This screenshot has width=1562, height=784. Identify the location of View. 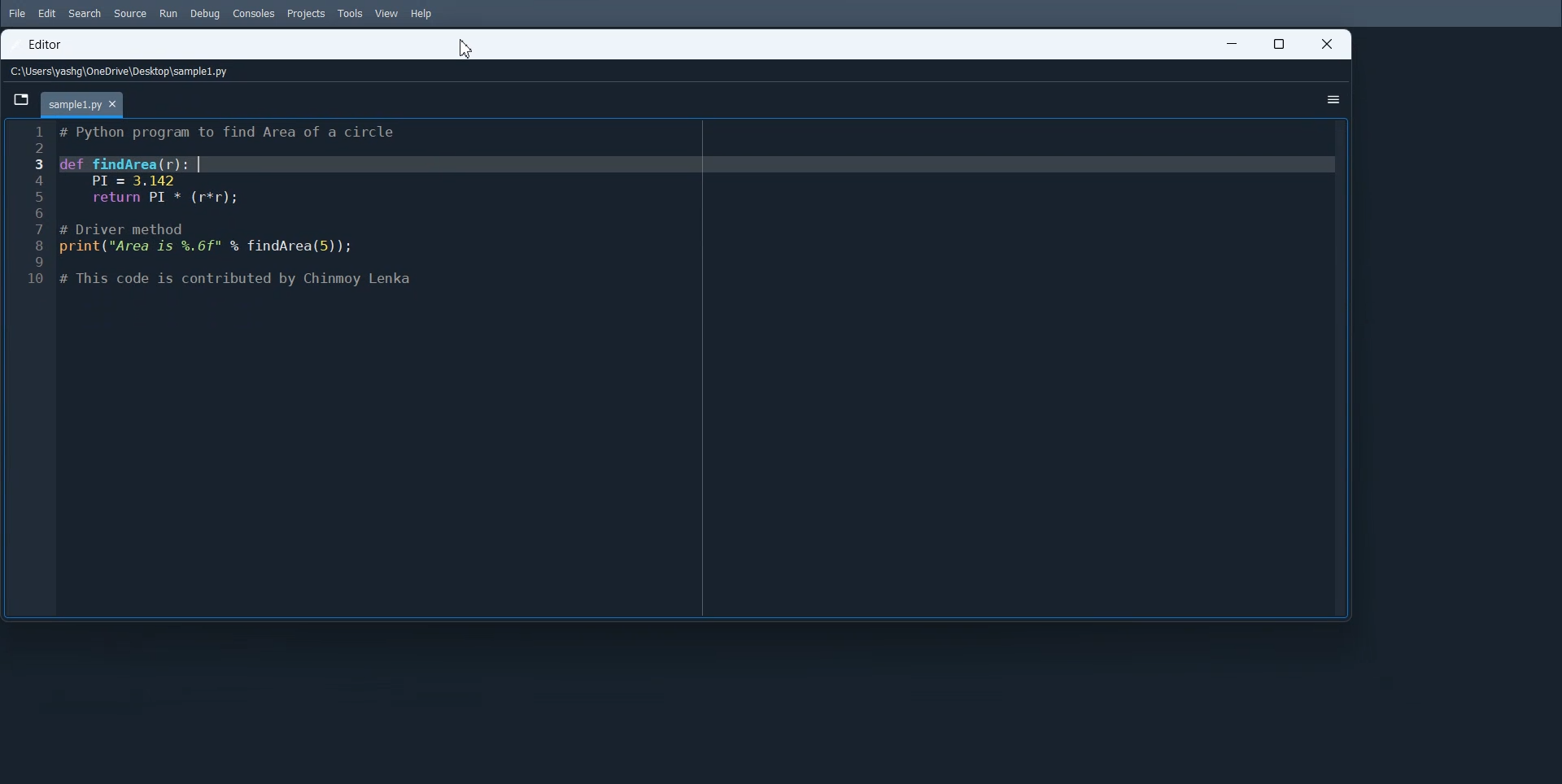
(386, 13).